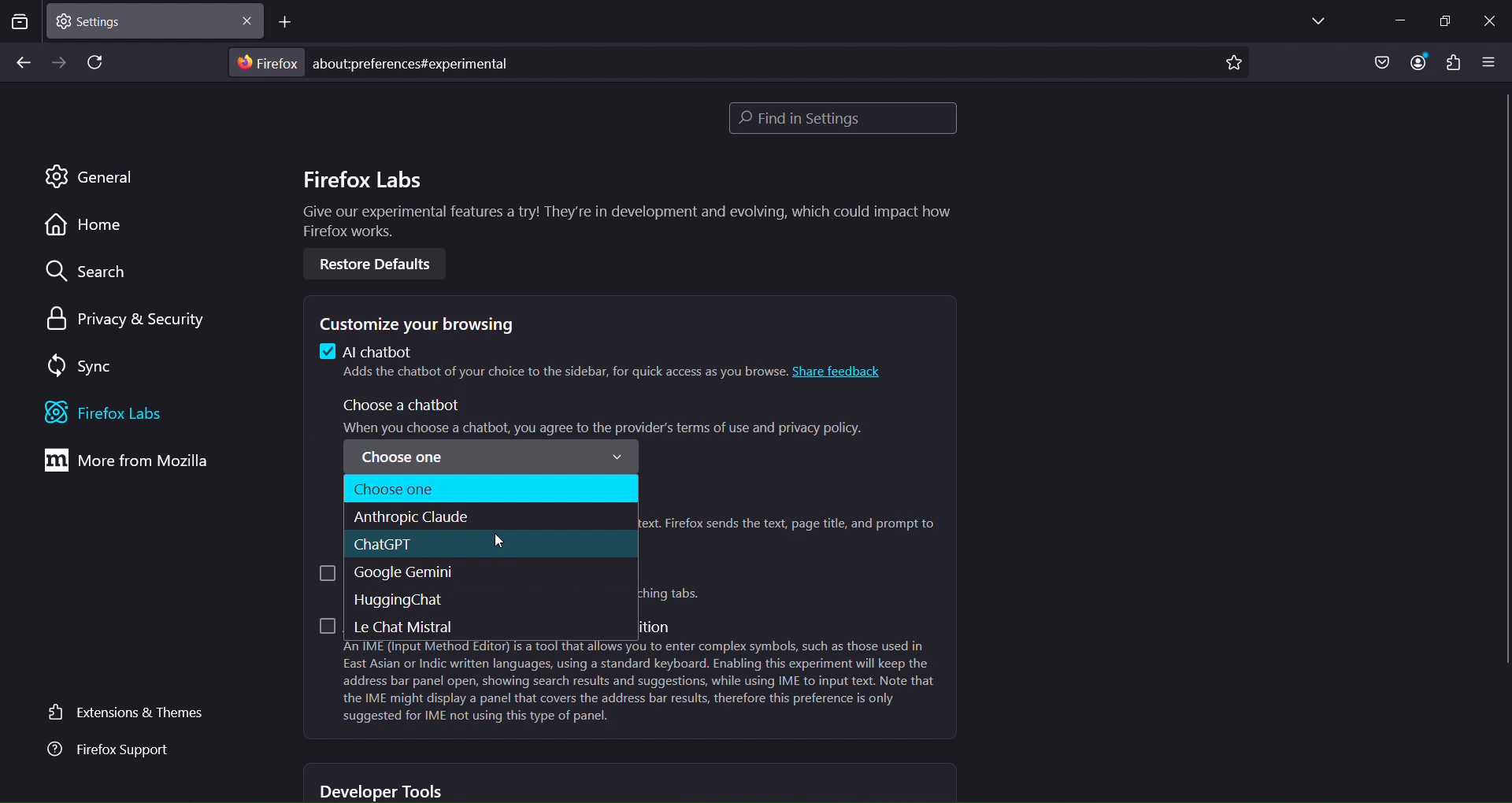 This screenshot has width=1512, height=803. What do you see at coordinates (120, 318) in the screenshot?
I see `privacy and security` at bounding box center [120, 318].